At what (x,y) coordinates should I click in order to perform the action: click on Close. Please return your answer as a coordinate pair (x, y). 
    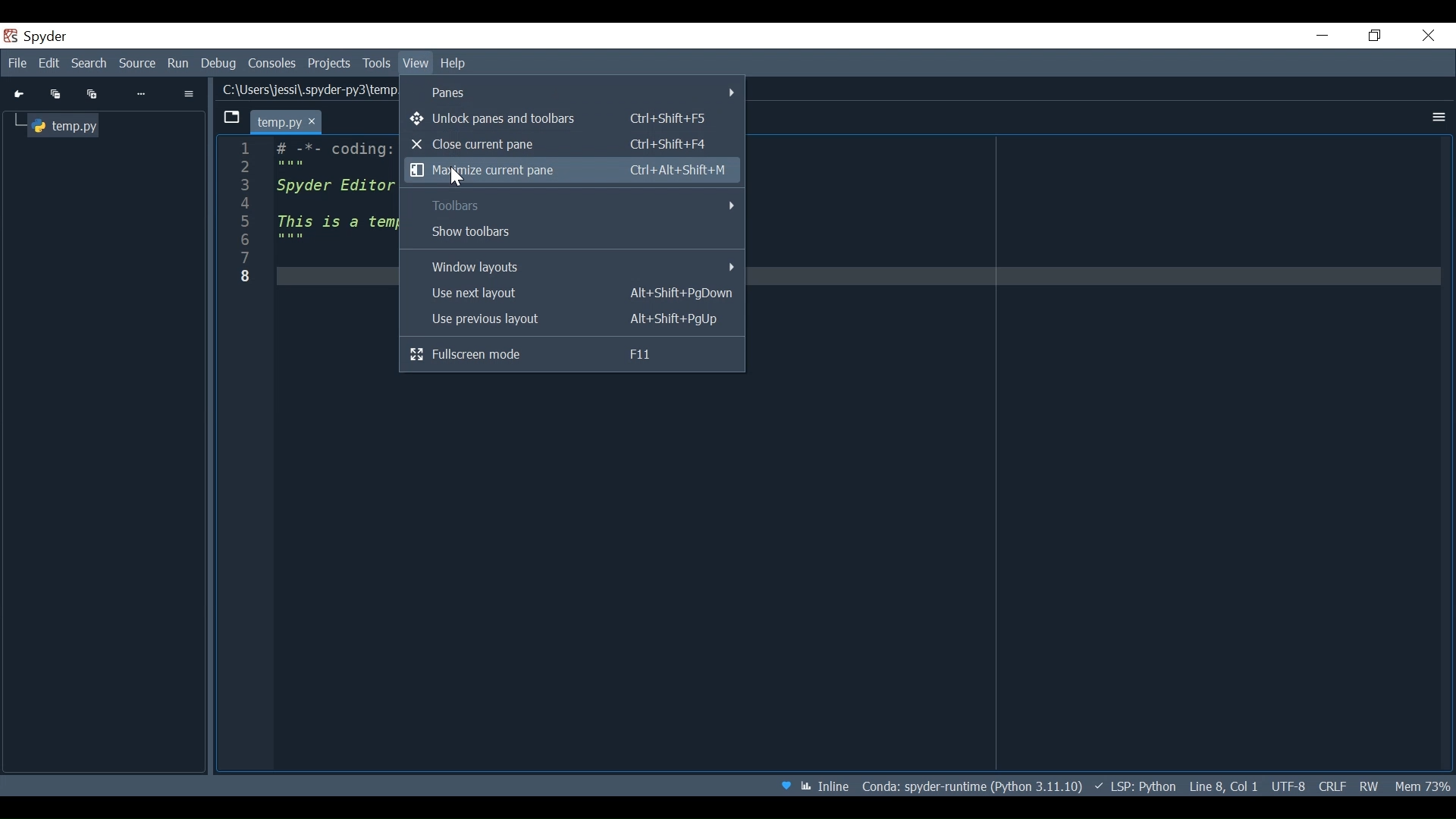
    Looking at the image, I should click on (1430, 36).